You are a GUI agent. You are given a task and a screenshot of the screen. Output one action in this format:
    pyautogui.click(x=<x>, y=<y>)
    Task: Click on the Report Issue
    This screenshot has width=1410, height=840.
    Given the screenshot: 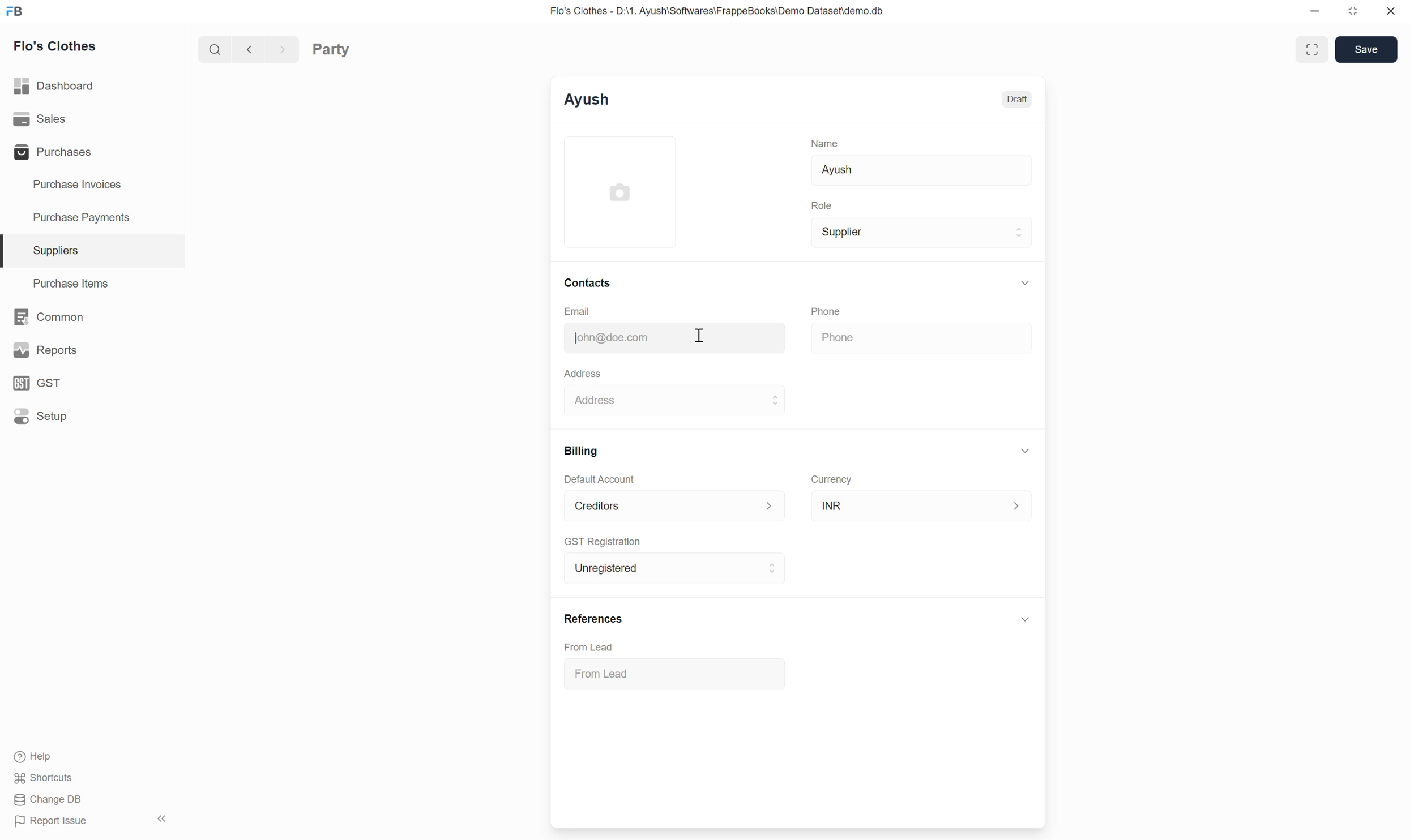 What is the action you would take?
    pyautogui.click(x=53, y=821)
    